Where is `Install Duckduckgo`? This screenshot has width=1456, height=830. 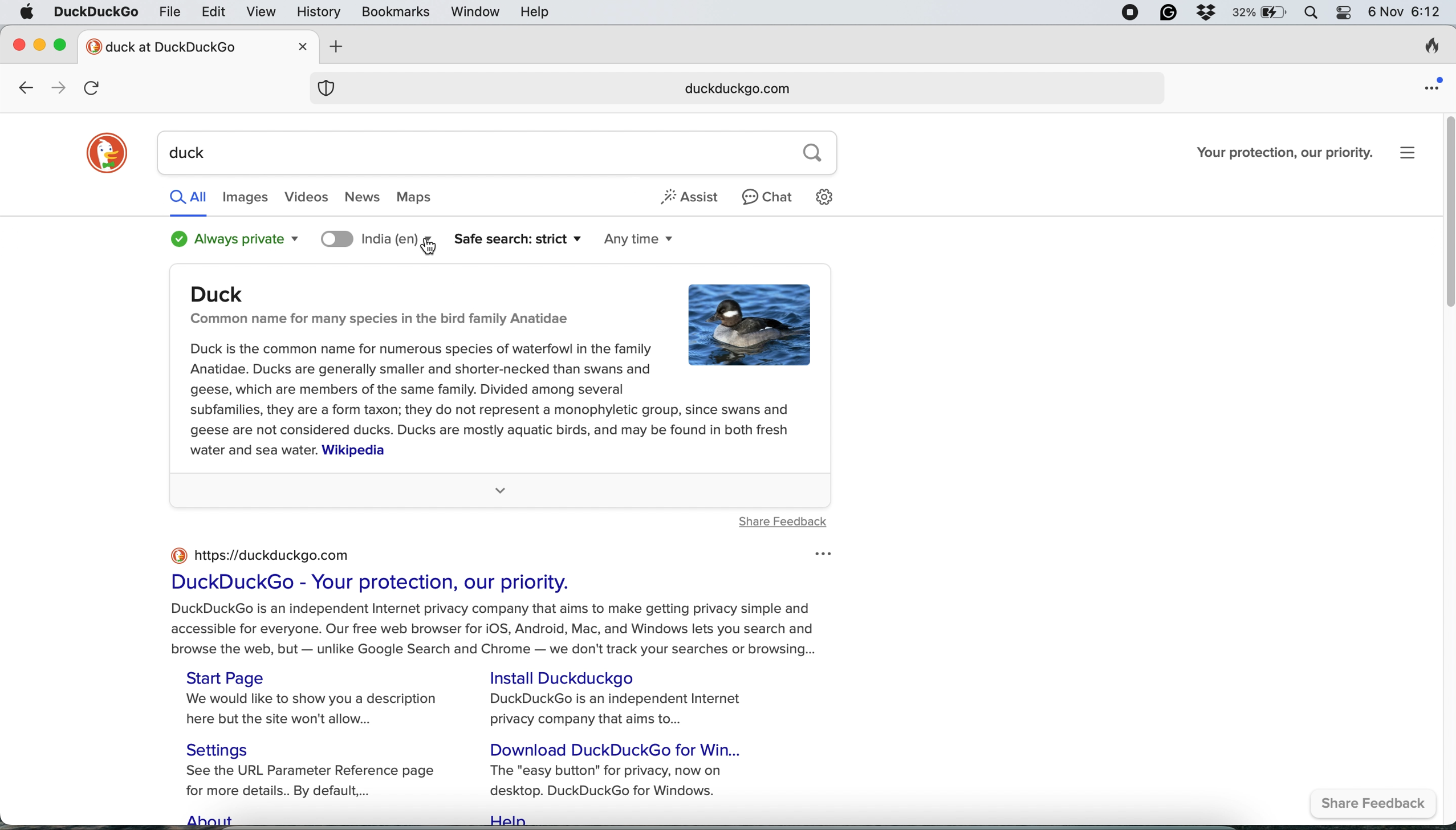
Install Duckduckgo is located at coordinates (570, 677).